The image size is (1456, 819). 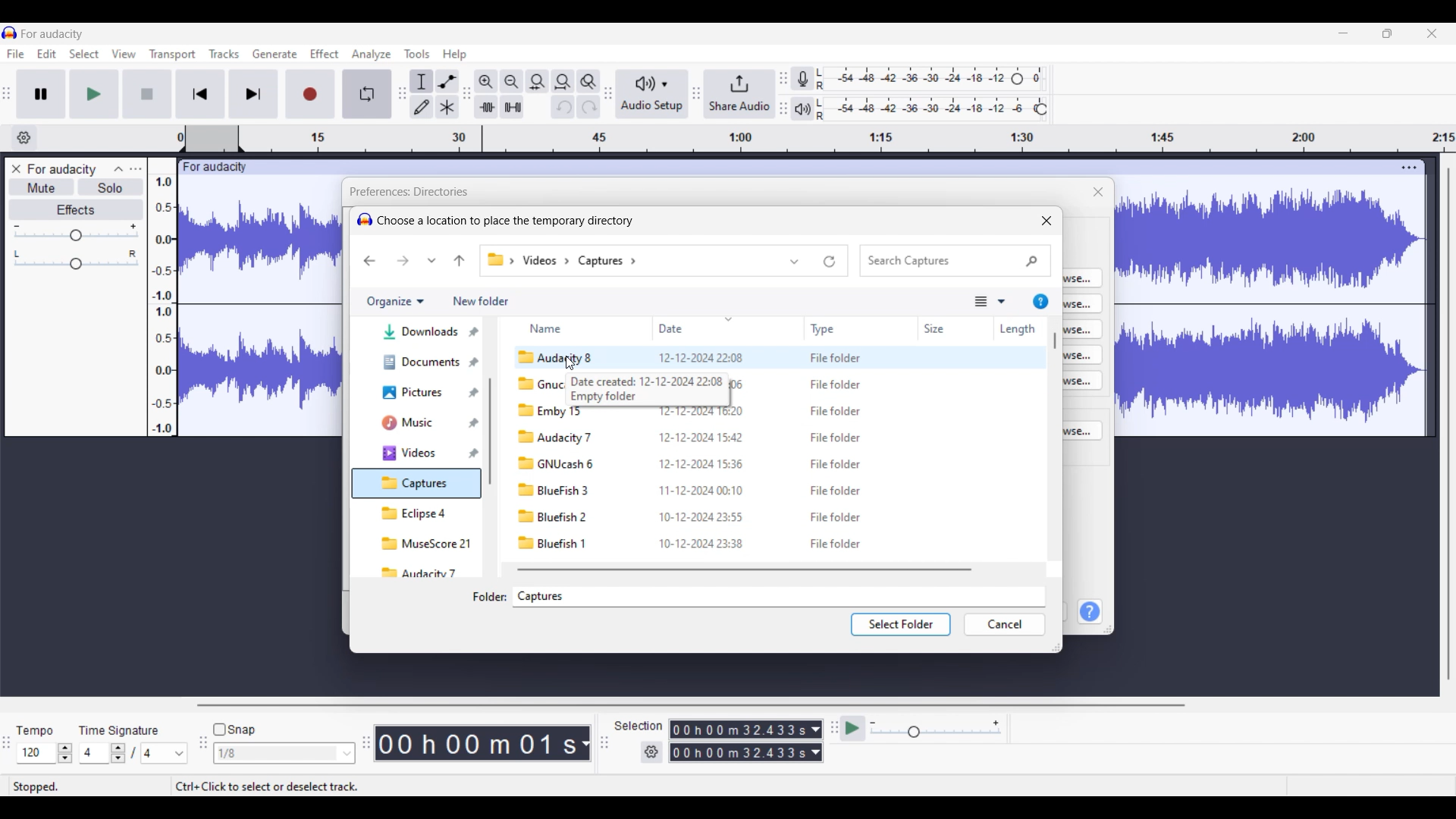 I want to click on Input time signature, so click(x=94, y=753).